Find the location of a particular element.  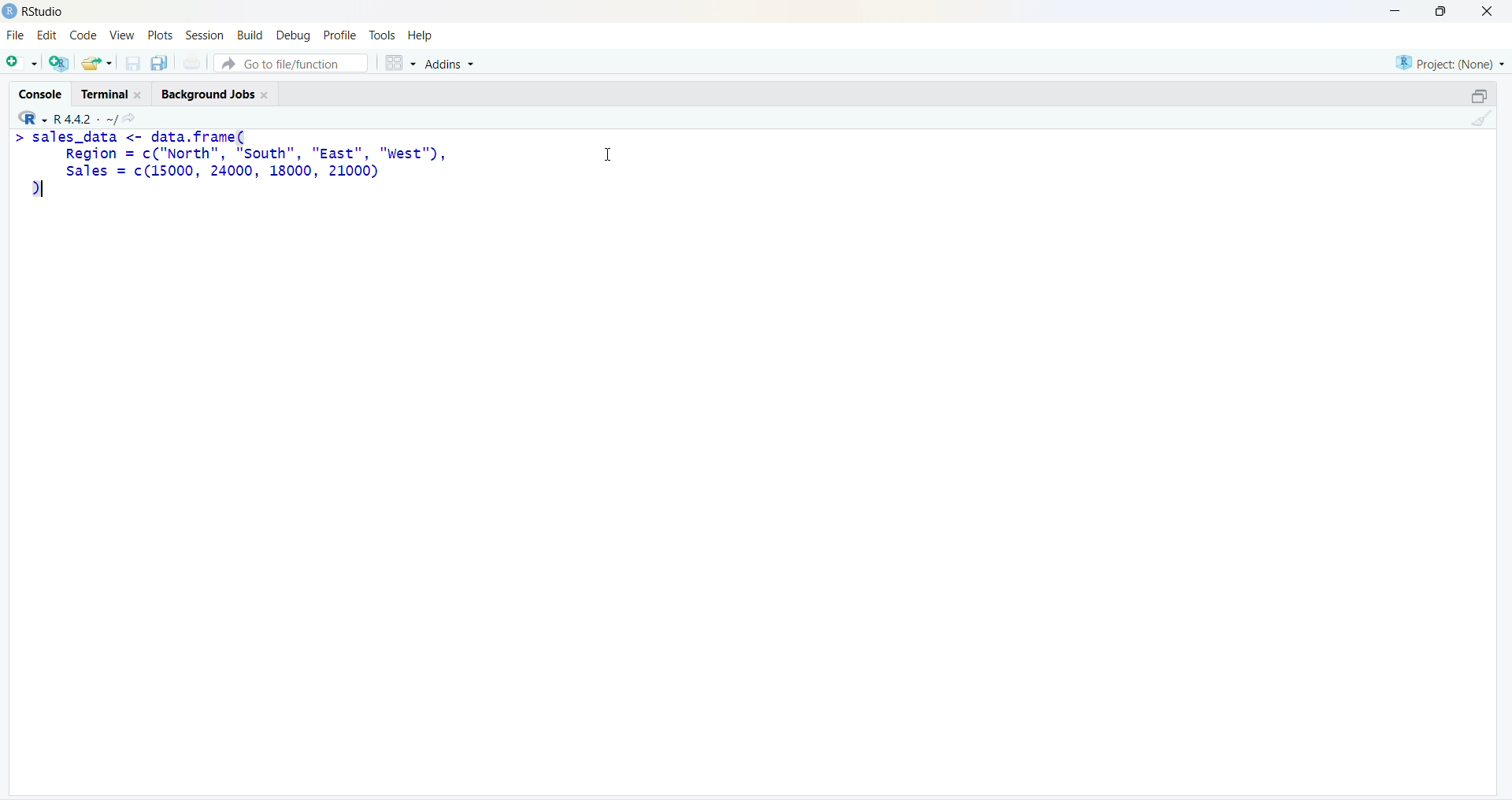

minimise is located at coordinates (1385, 9).